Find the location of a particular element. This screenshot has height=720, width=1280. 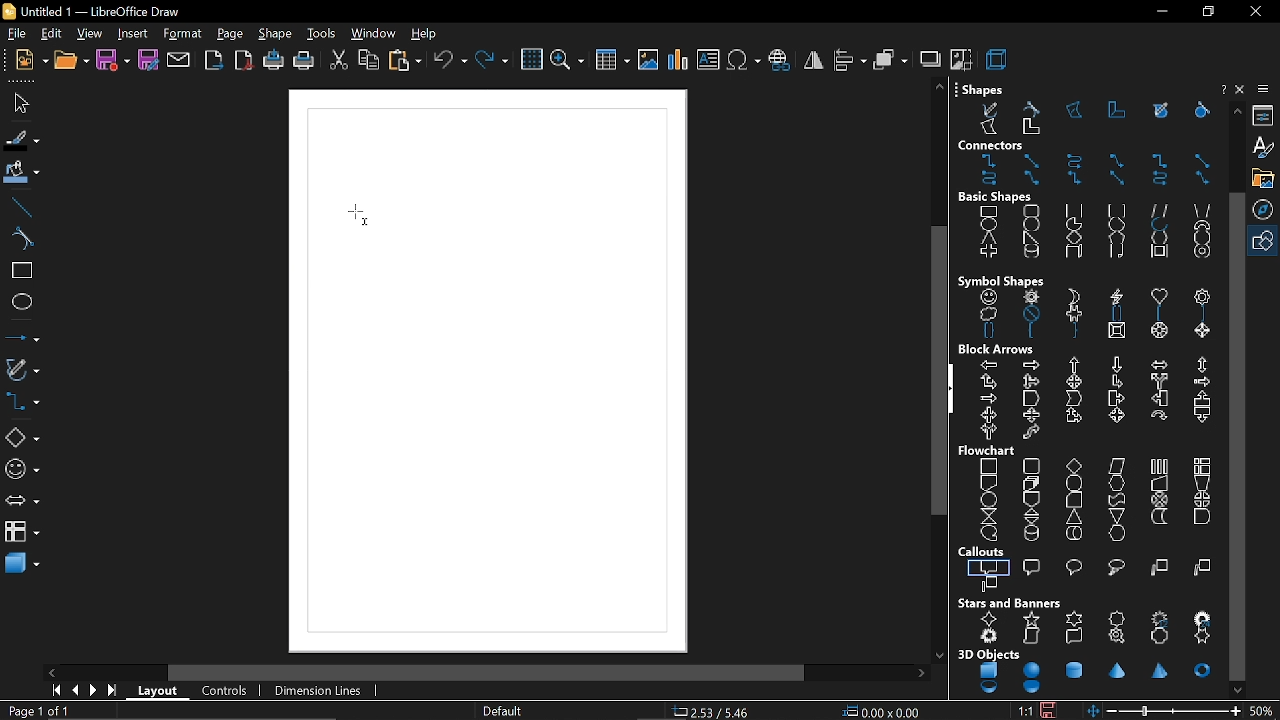

help is located at coordinates (1222, 88).